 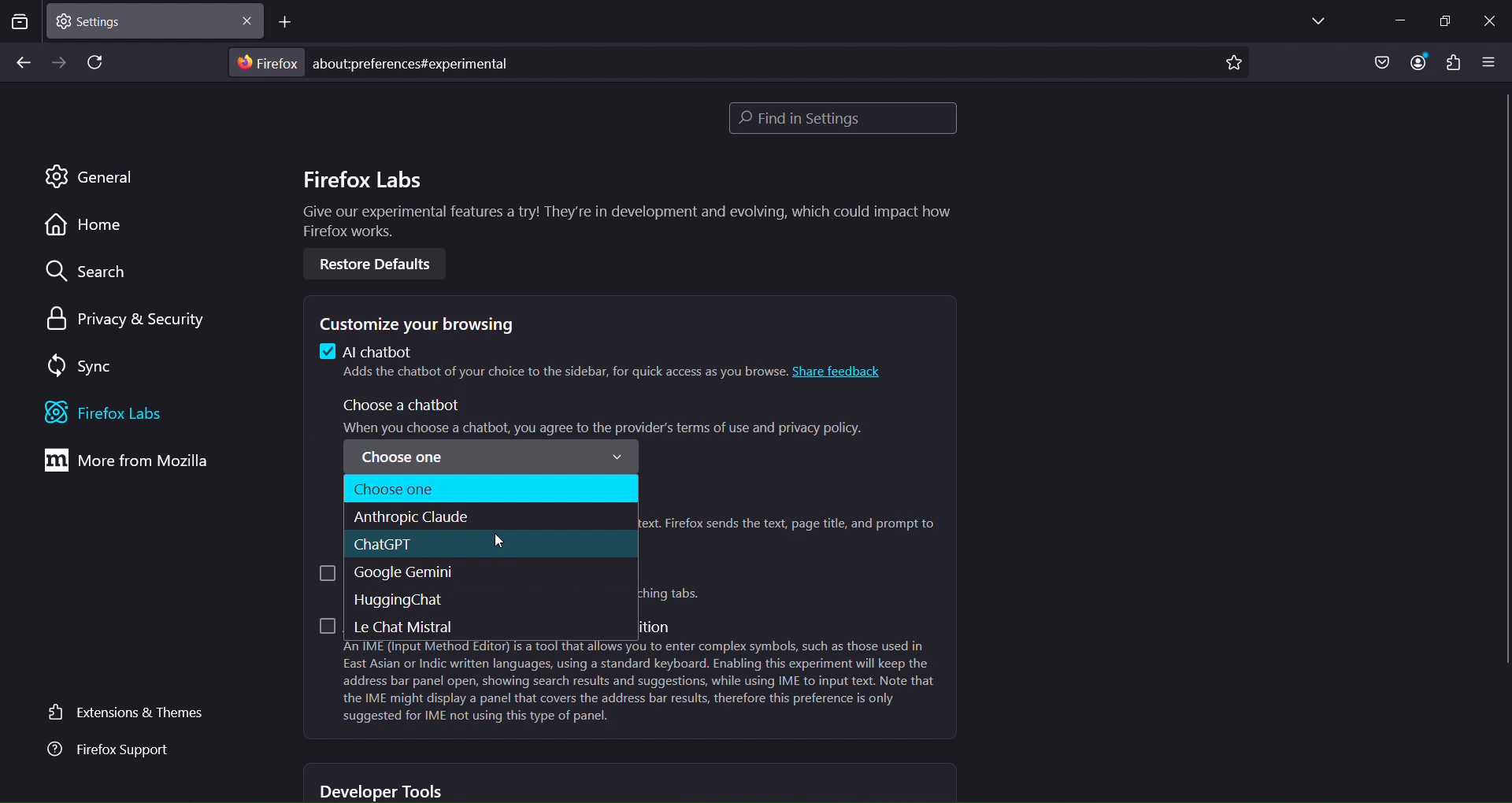 I want to click on about:preferences#experimental, so click(x=493, y=62).